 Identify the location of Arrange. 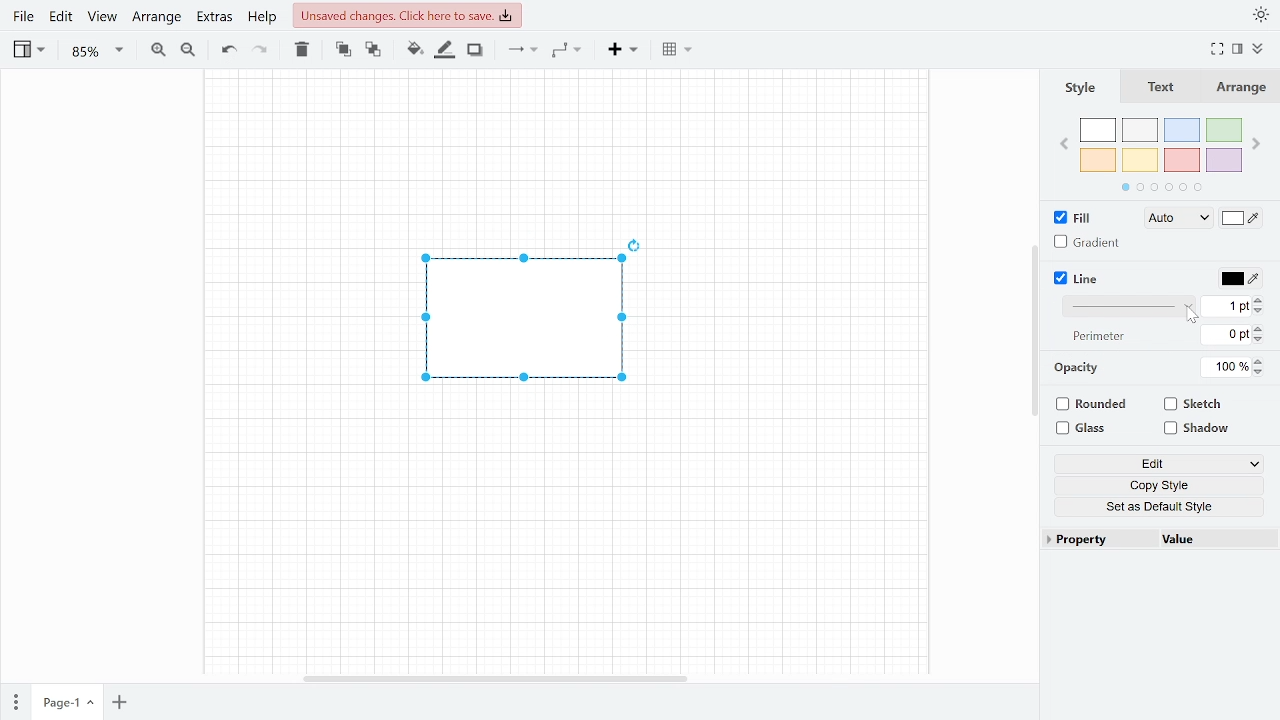
(154, 18).